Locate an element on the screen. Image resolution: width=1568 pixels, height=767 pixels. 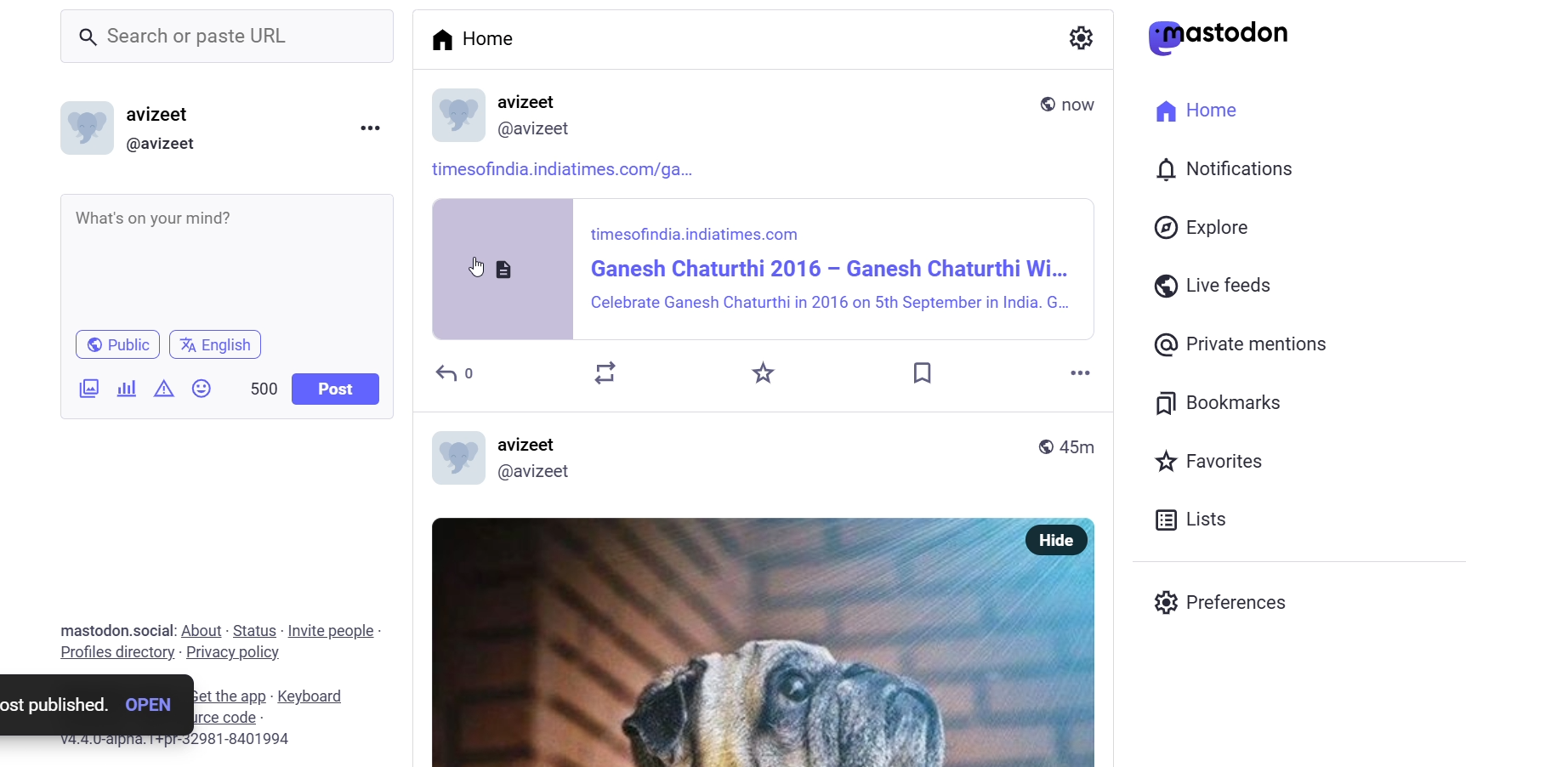
id is located at coordinates (542, 129).